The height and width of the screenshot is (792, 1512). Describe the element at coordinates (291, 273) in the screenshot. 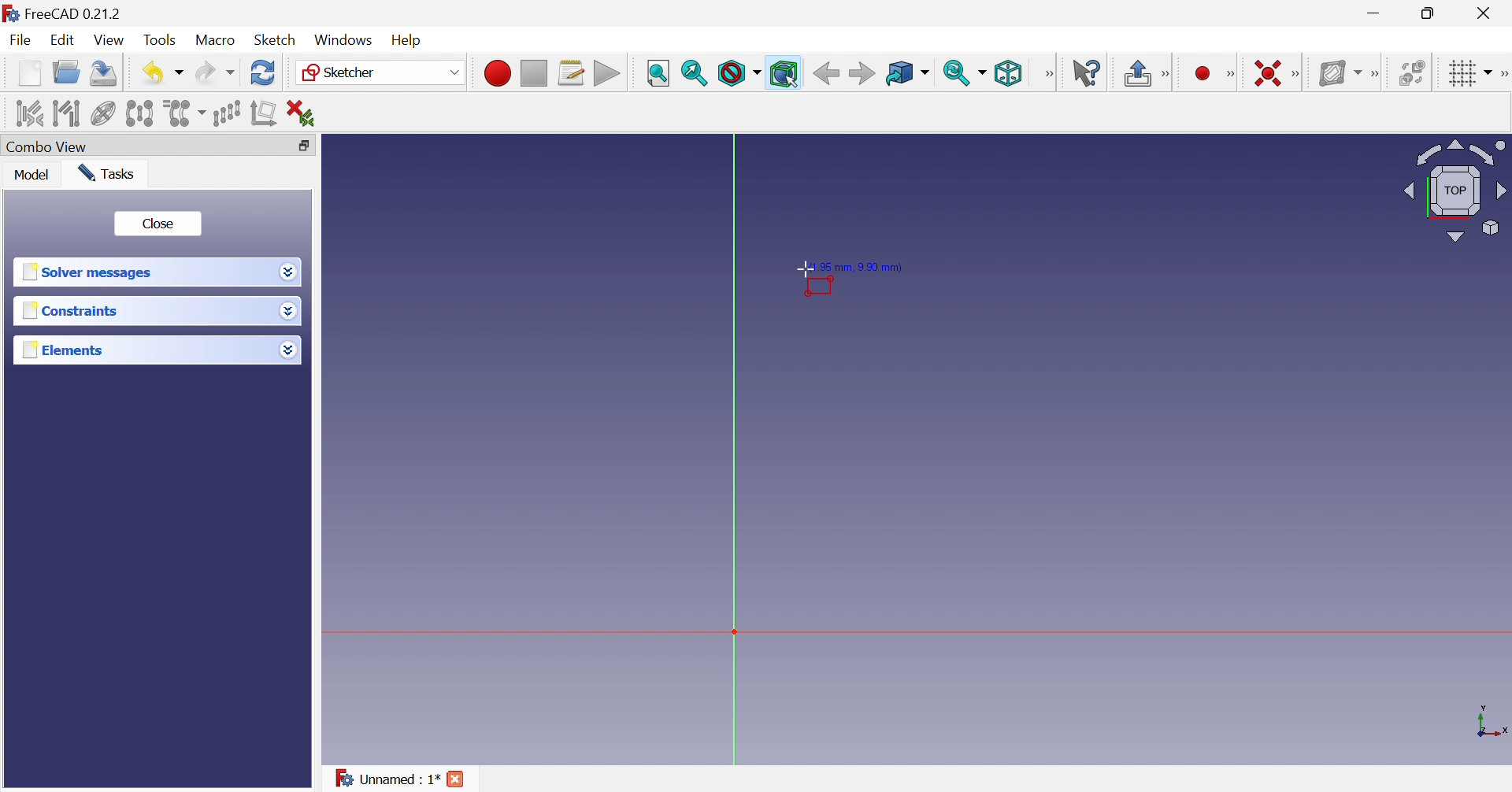

I see `Drop down` at that location.